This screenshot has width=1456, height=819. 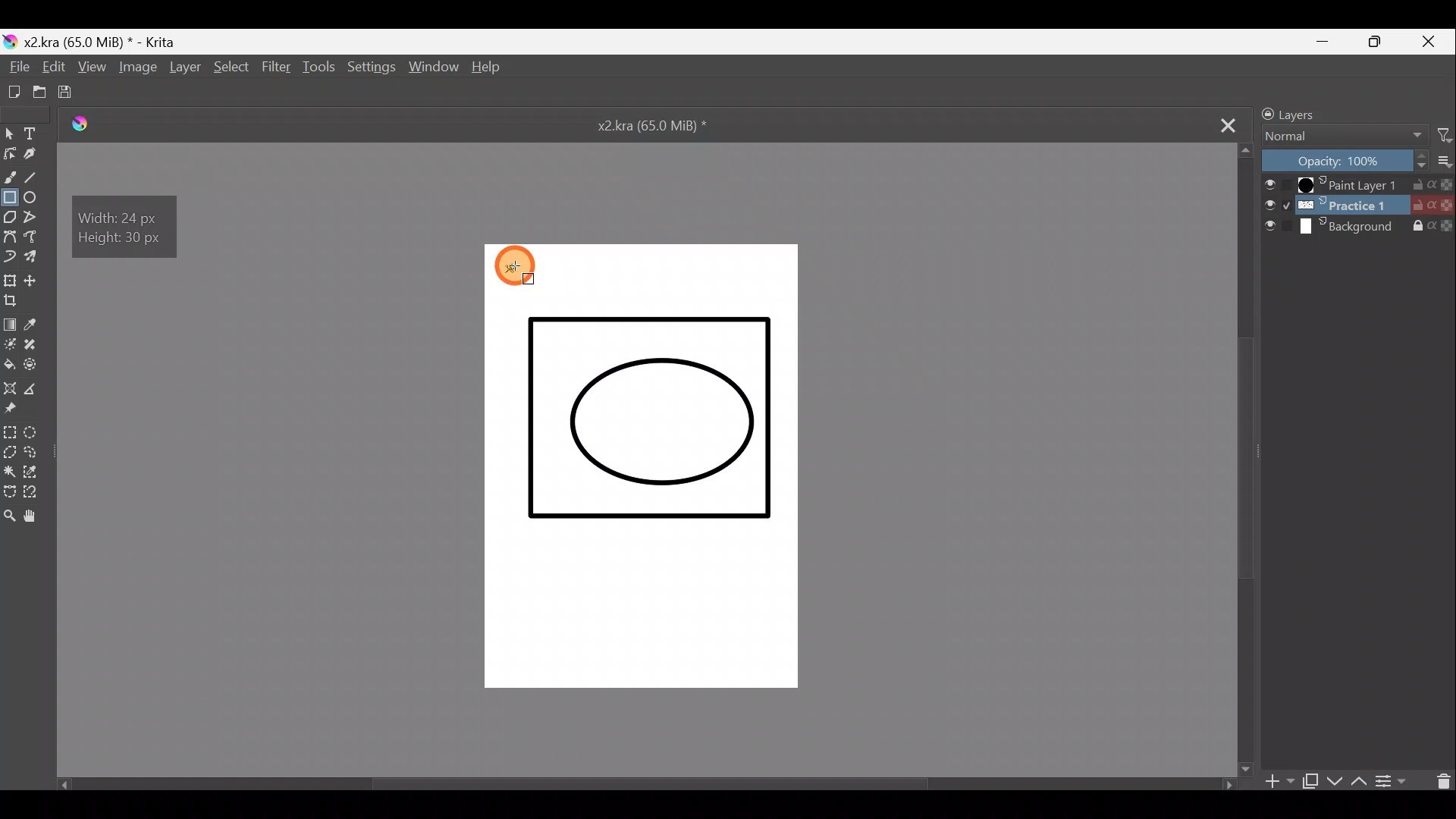 I want to click on Tools, so click(x=319, y=67).